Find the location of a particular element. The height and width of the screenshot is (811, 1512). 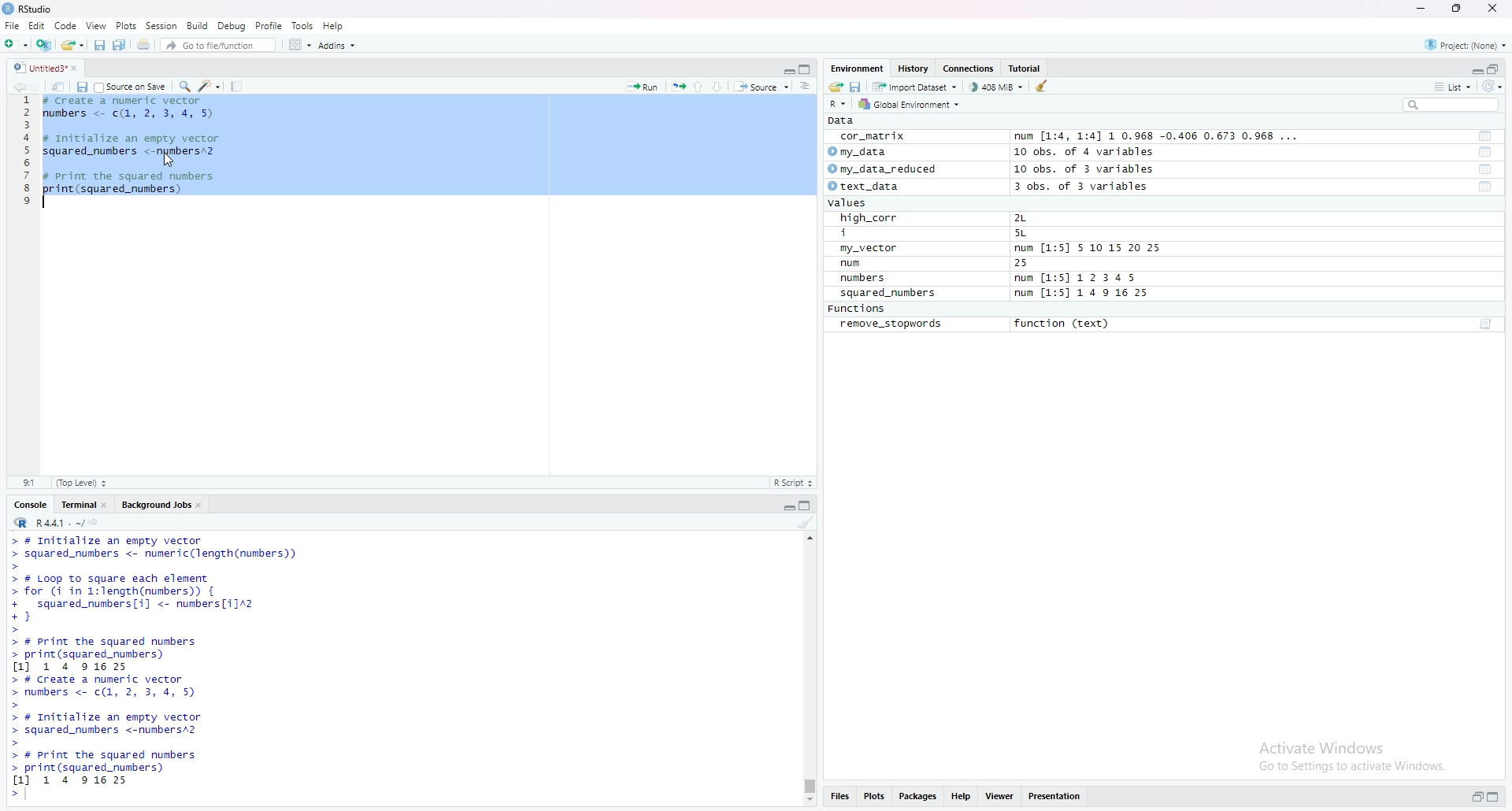

close is located at coordinates (202, 503).